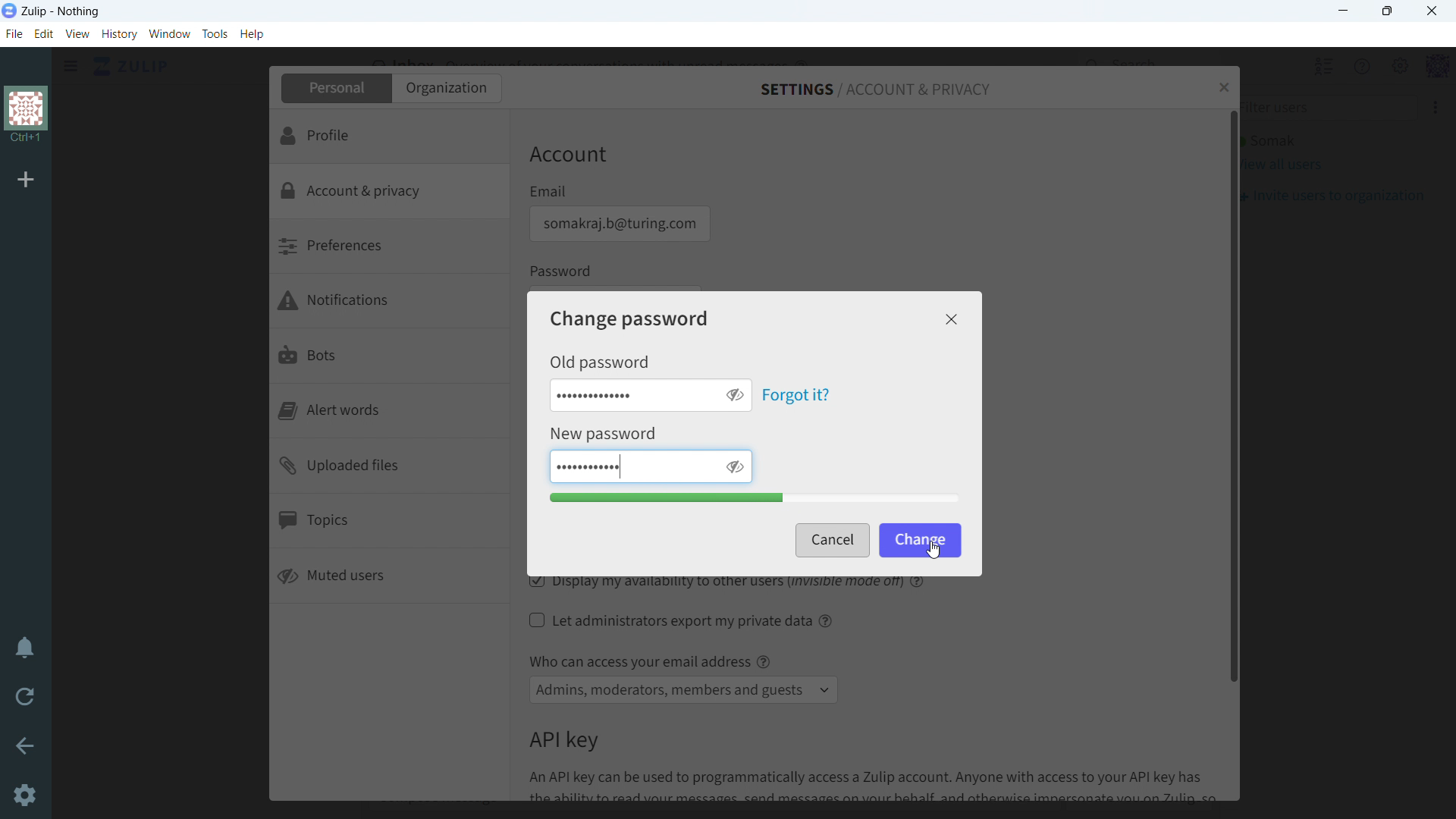 Image resolution: width=1456 pixels, height=819 pixels. I want to click on click to see sidebar menu, so click(71, 66).